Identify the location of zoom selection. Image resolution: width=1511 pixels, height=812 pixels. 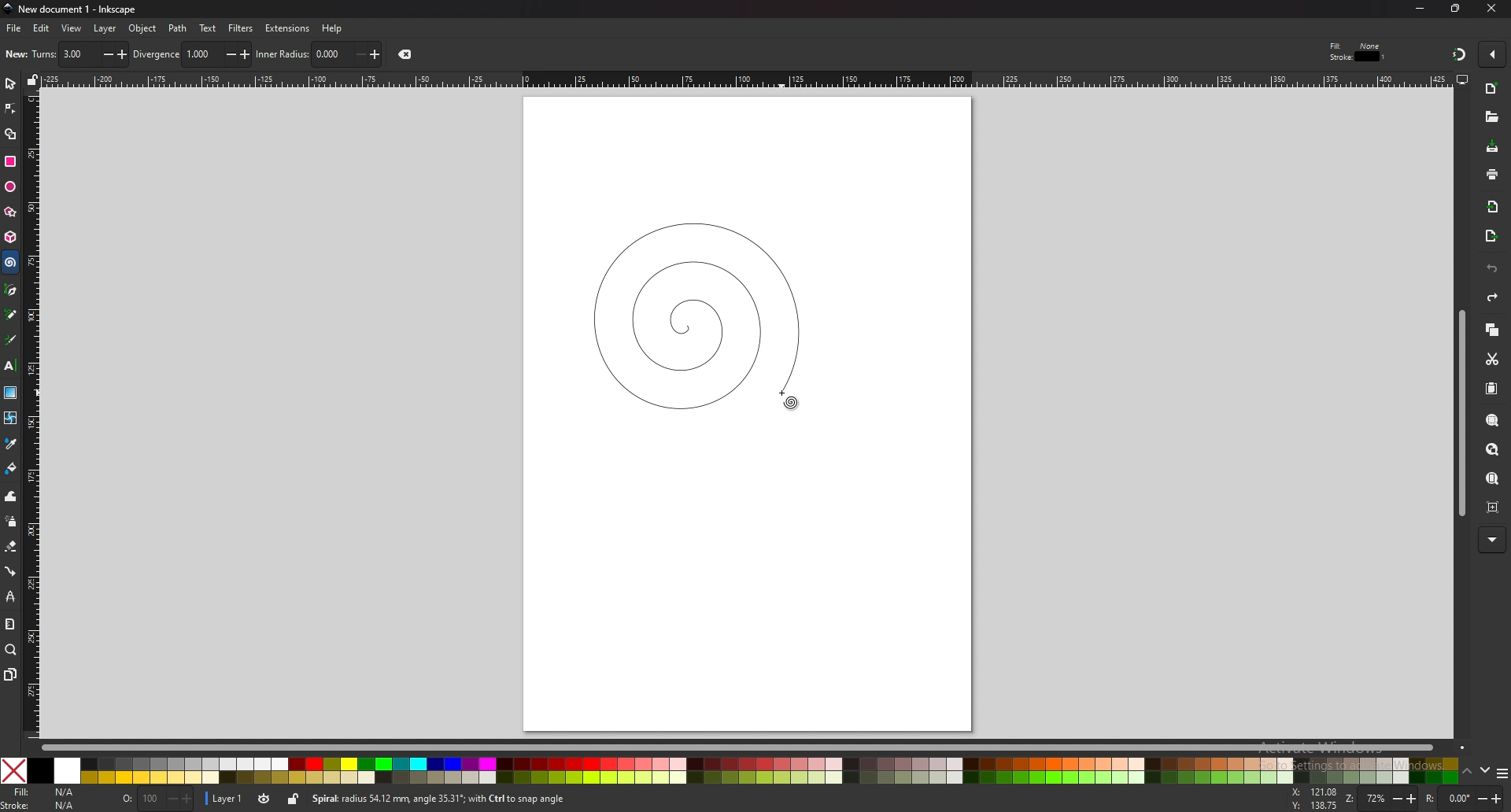
(1491, 421).